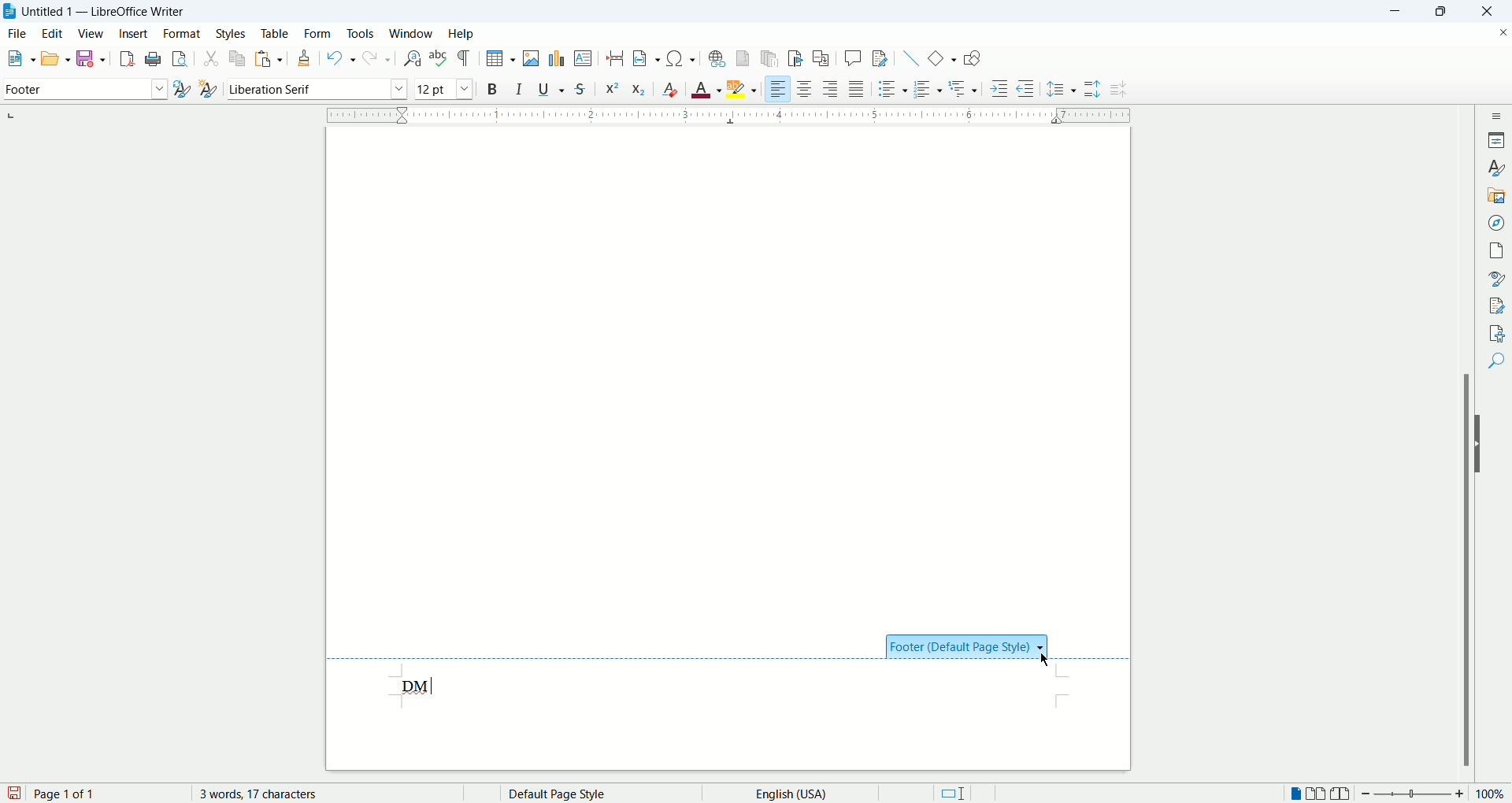 The width and height of the screenshot is (1512, 803). I want to click on italic, so click(520, 88).